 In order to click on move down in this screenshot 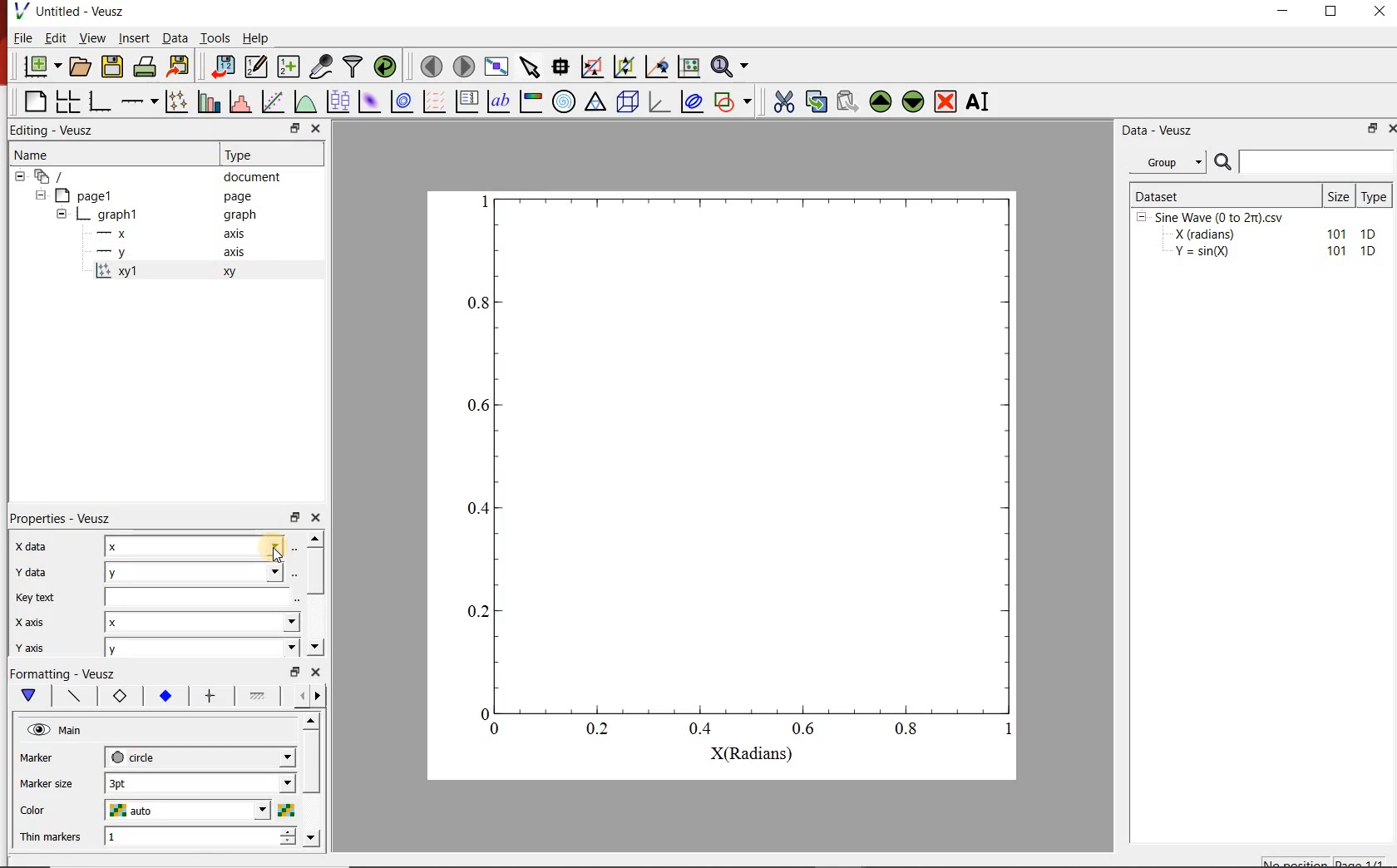, I will do `click(914, 103)`.